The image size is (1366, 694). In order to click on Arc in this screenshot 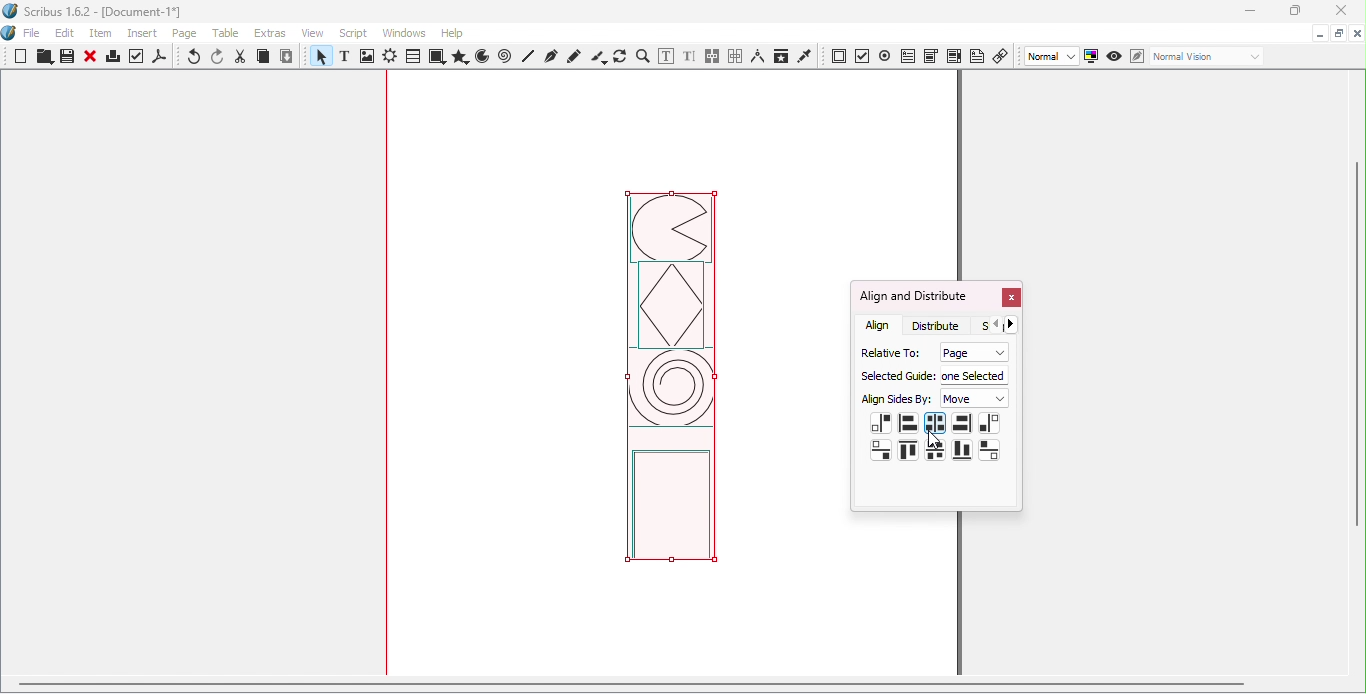, I will do `click(482, 58)`.